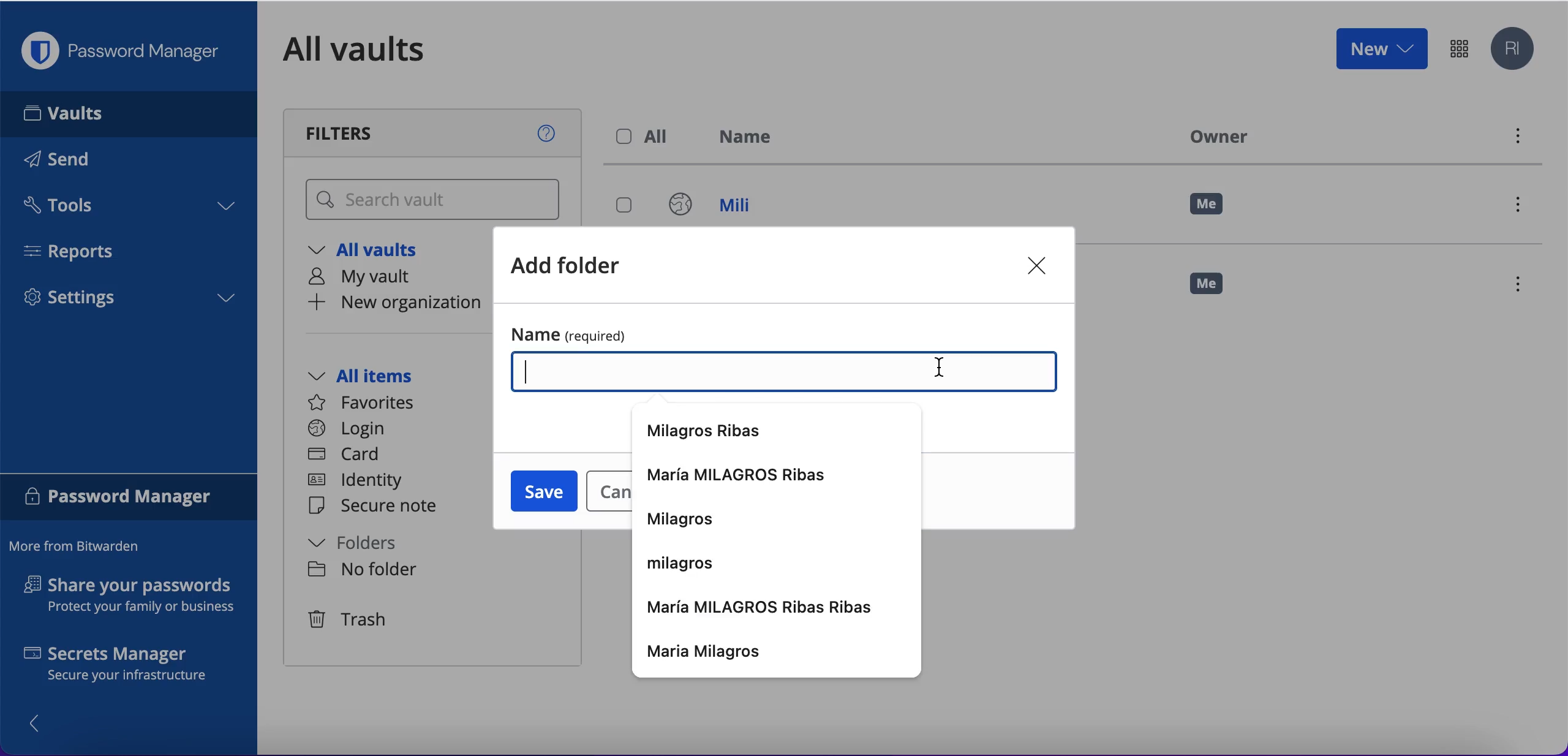  What do you see at coordinates (80, 547) in the screenshot?
I see `more from bitwarden` at bounding box center [80, 547].